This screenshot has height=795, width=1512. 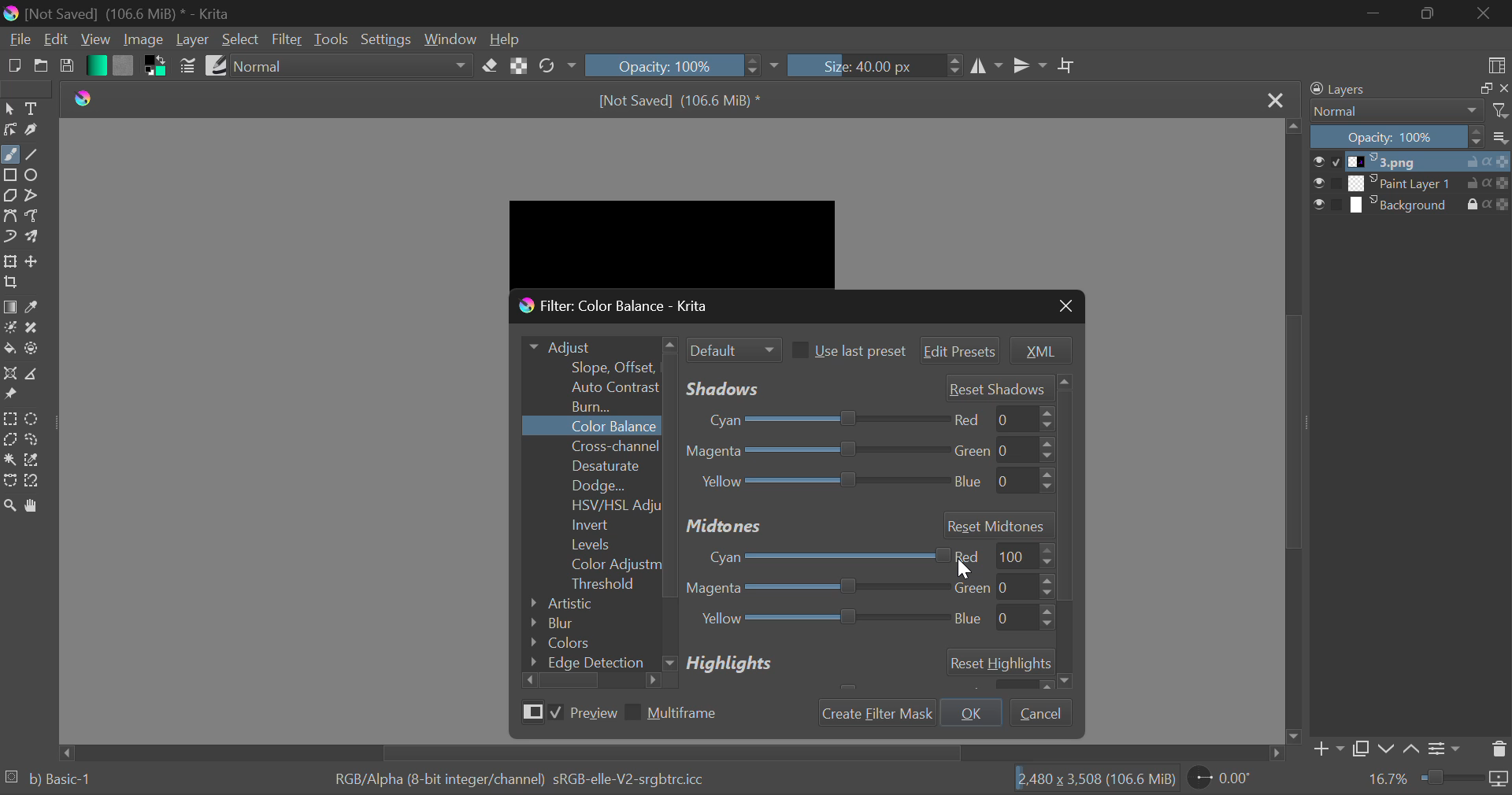 What do you see at coordinates (387, 39) in the screenshot?
I see `Settings` at bounding box center [387, 39].